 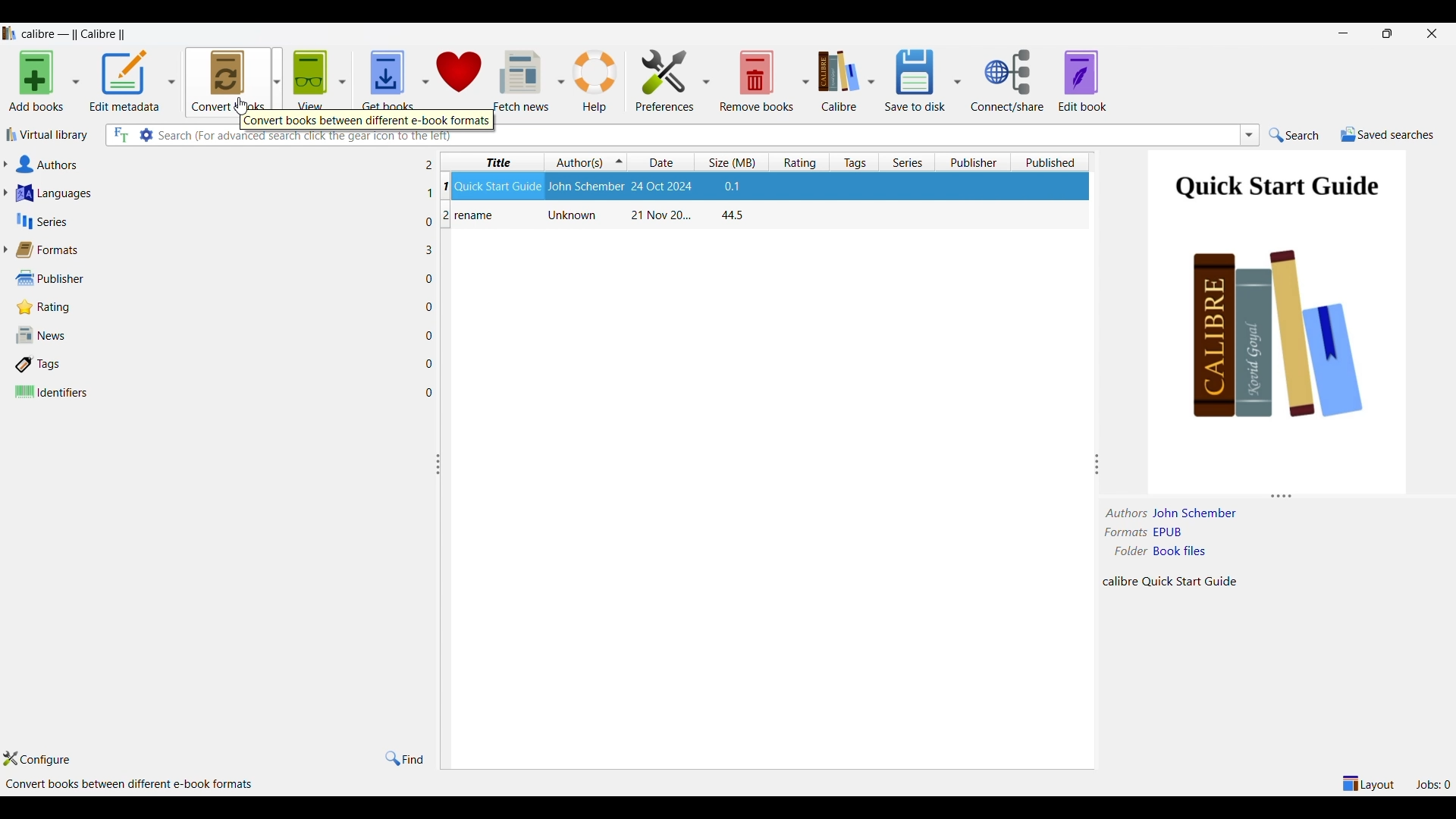 What do you see at coordinates (1433, 784) in the screenshot?
I see `Jobs` at bounding box center [1433, 784].